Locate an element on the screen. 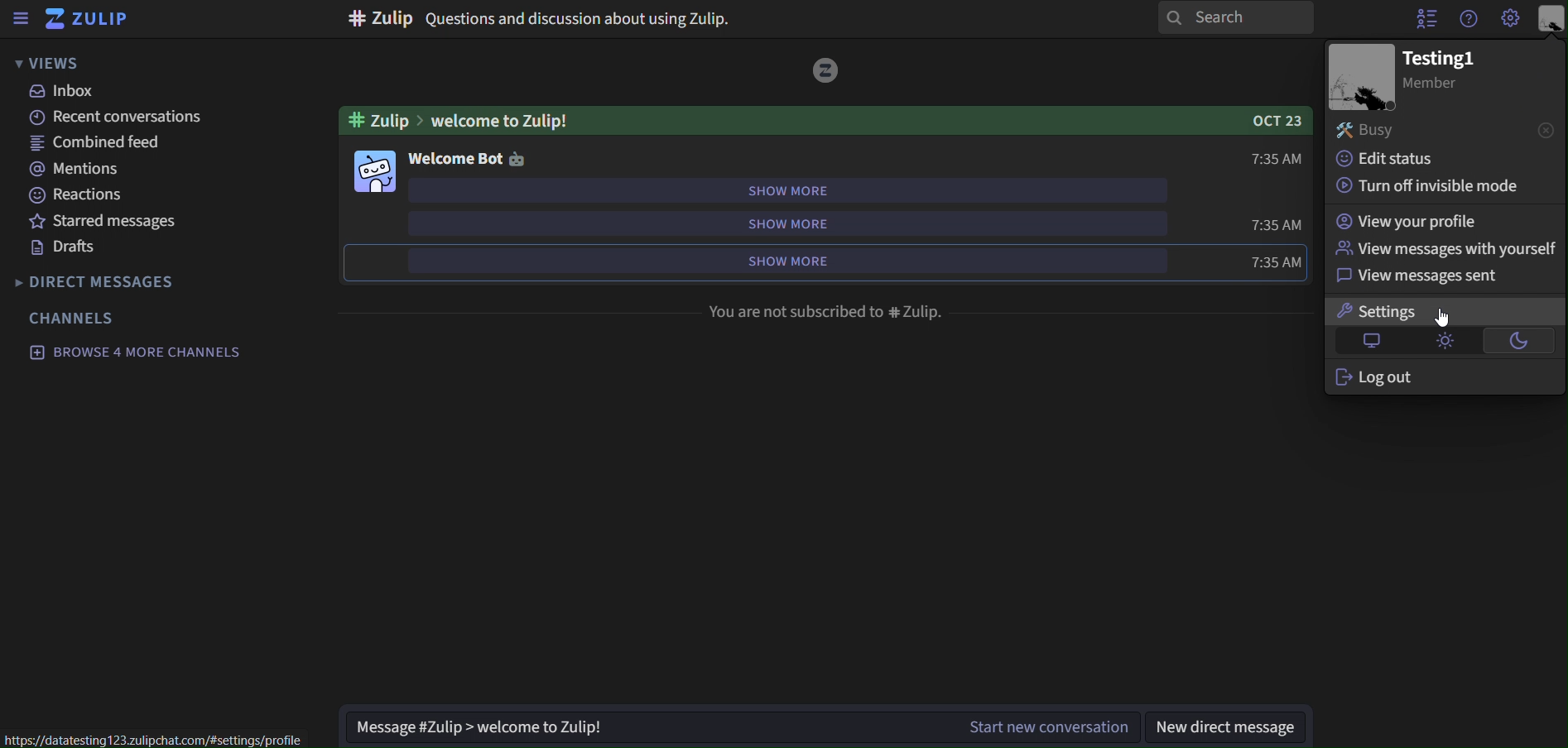  view messages with yourself is located at coordinates (1447, 247).